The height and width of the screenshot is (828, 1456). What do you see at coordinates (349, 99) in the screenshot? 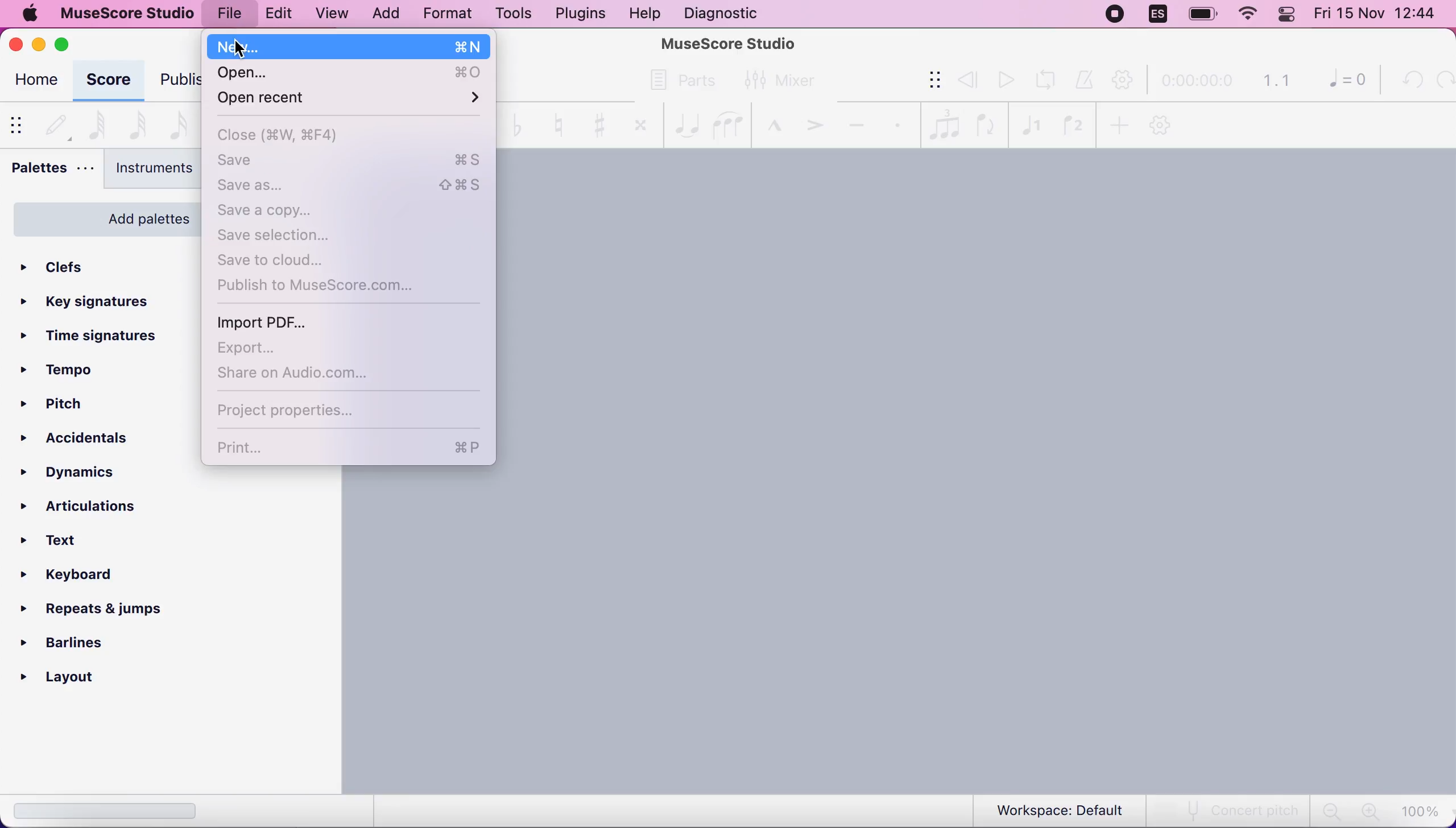
I see `open recent` at bounding box center [349, 99].